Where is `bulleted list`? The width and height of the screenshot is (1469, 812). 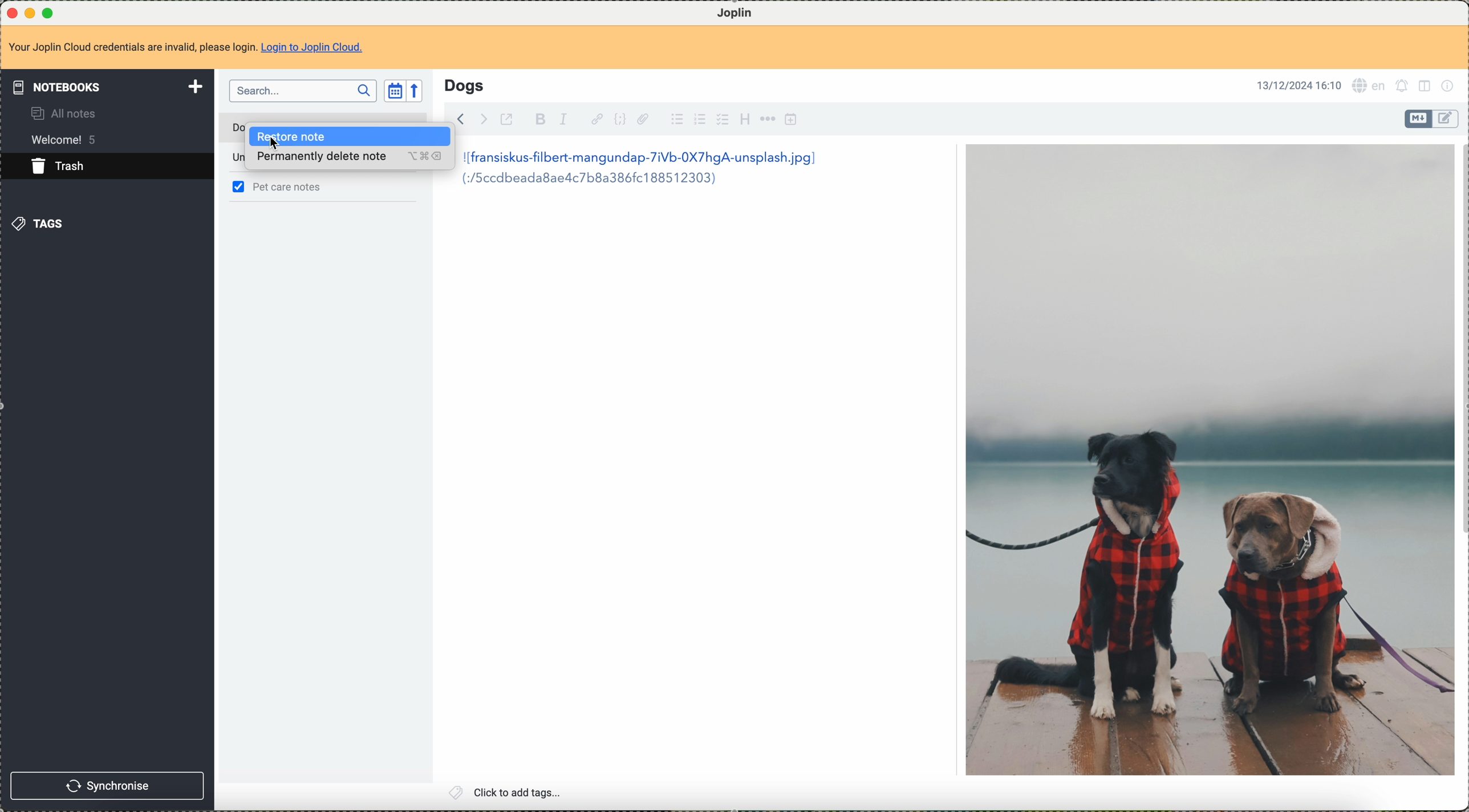 bulleted list is located at coordinates (676, 120).